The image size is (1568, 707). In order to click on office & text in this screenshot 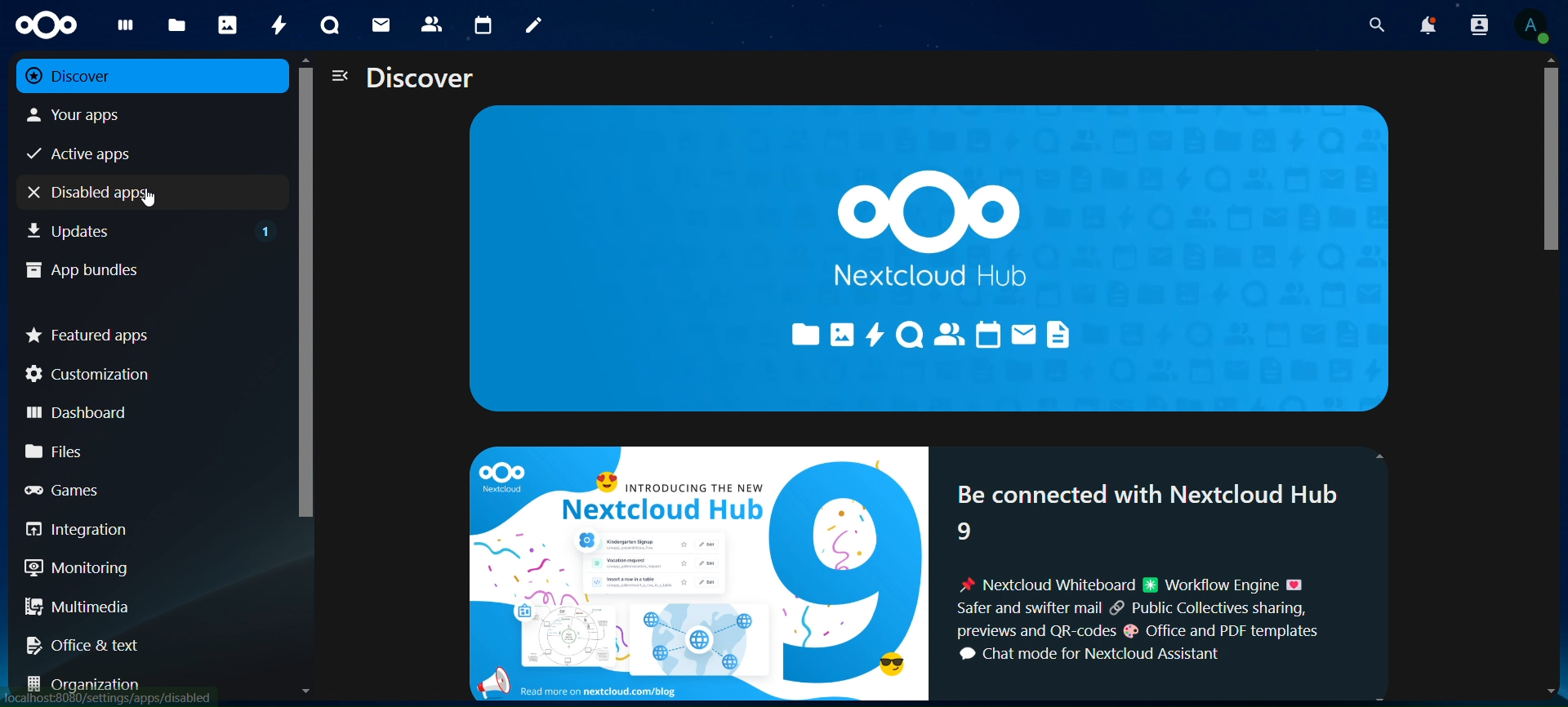, I will do `click(138, 642)`.